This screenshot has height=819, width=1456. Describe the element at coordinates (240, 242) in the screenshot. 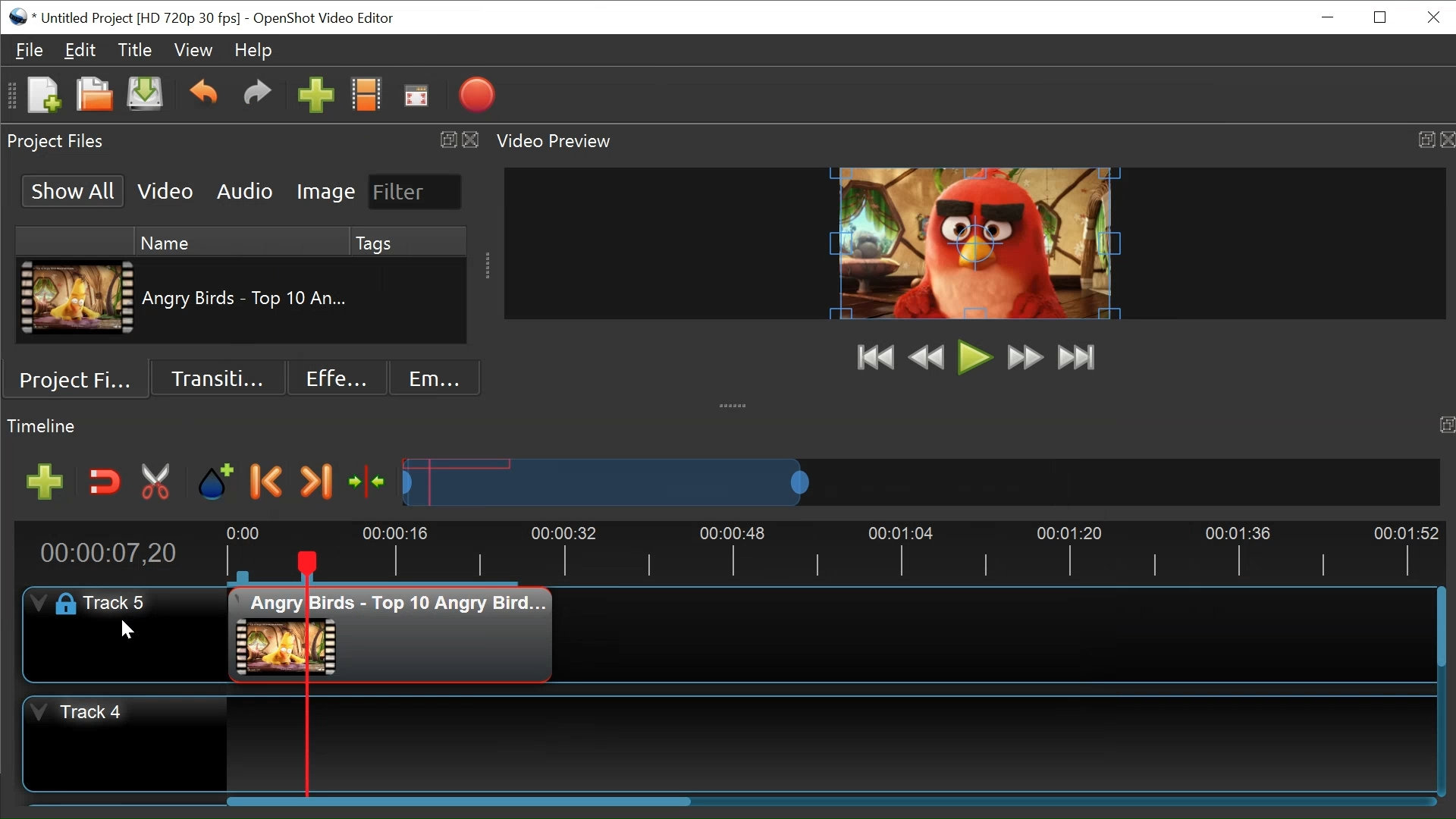

I see `Name` at that location.